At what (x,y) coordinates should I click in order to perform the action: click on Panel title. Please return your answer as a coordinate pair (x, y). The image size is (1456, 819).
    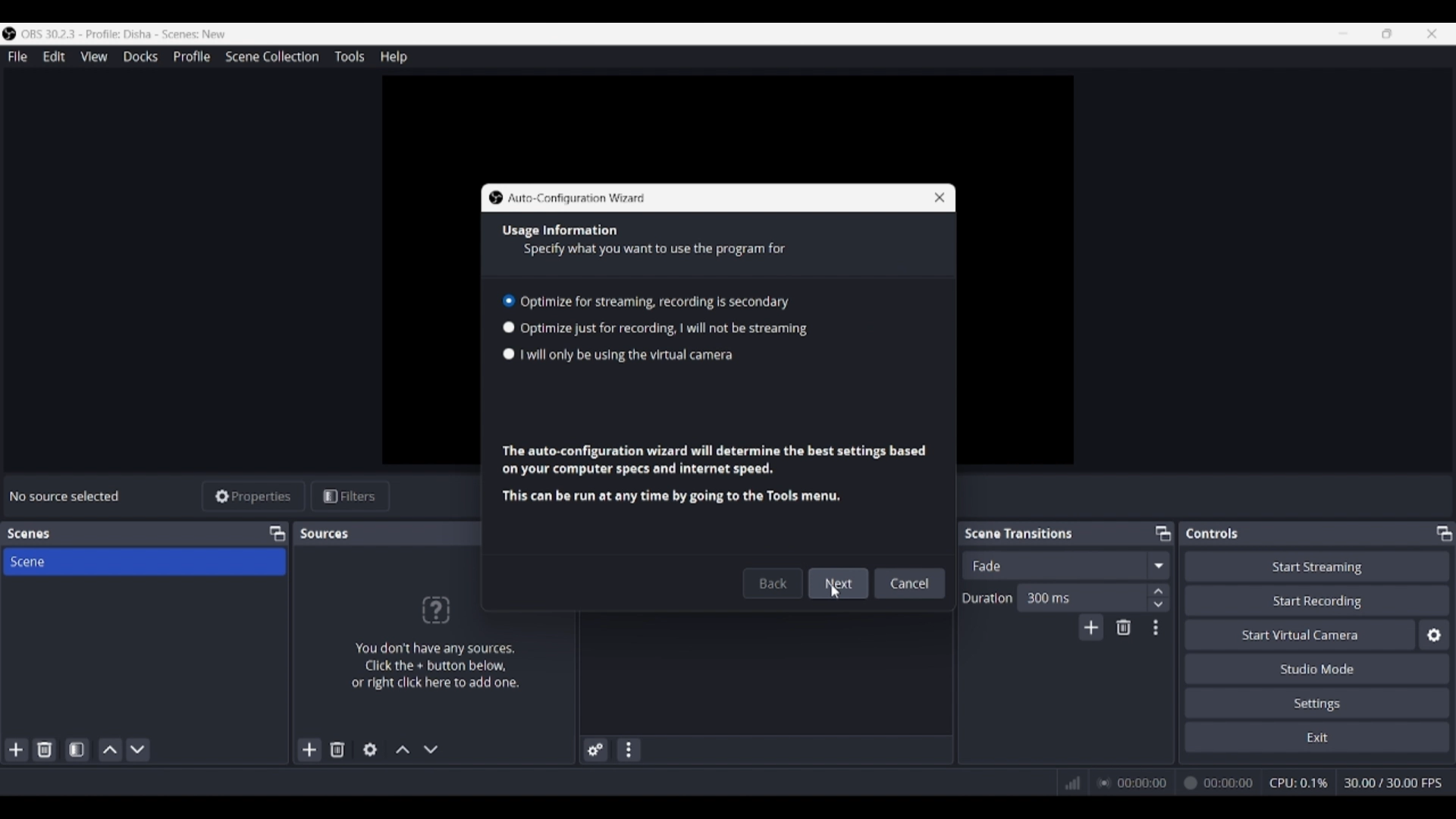
    Looking at the image, I should click on (29, 534).